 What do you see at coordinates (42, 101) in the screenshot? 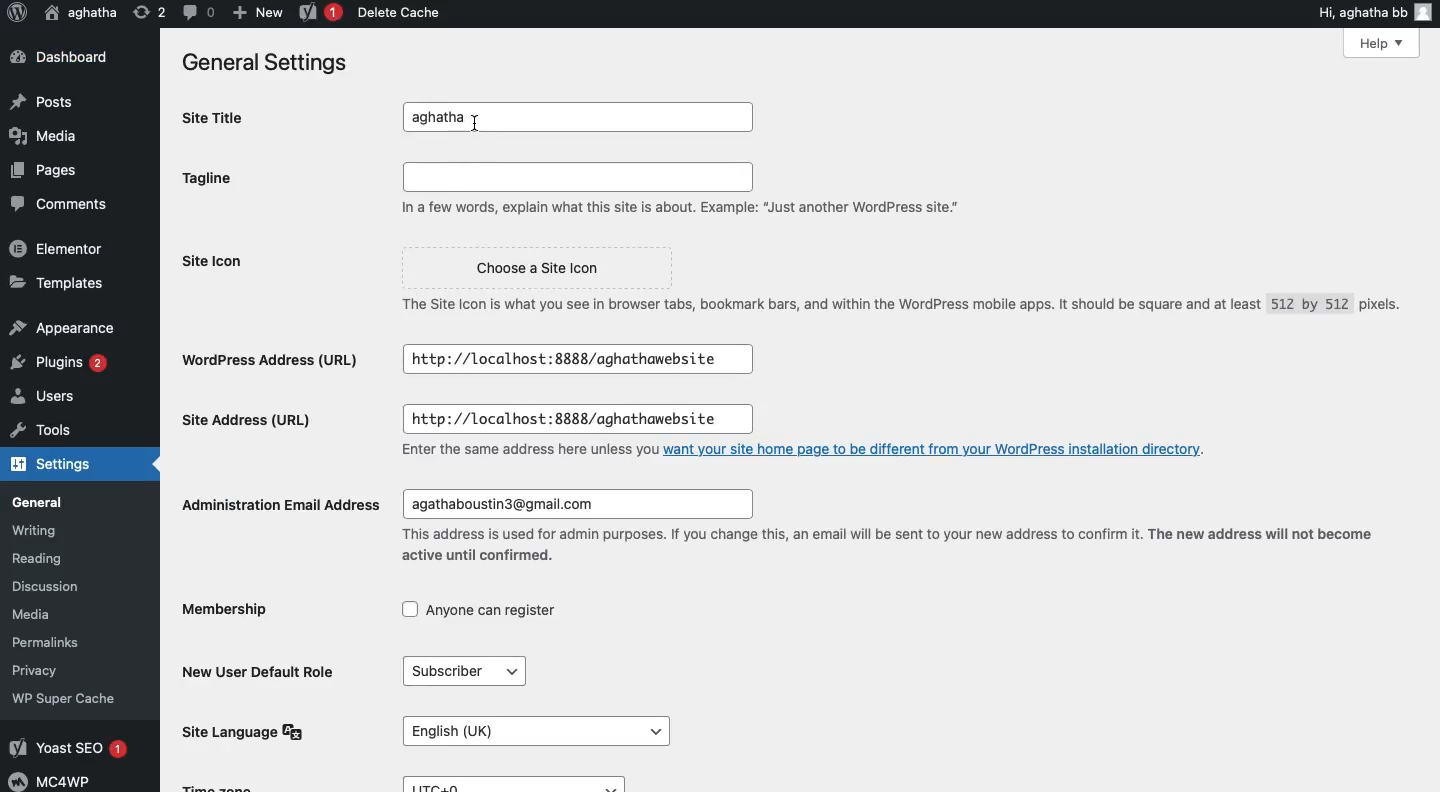
I see `Posts` at bounding box center [42, 101].